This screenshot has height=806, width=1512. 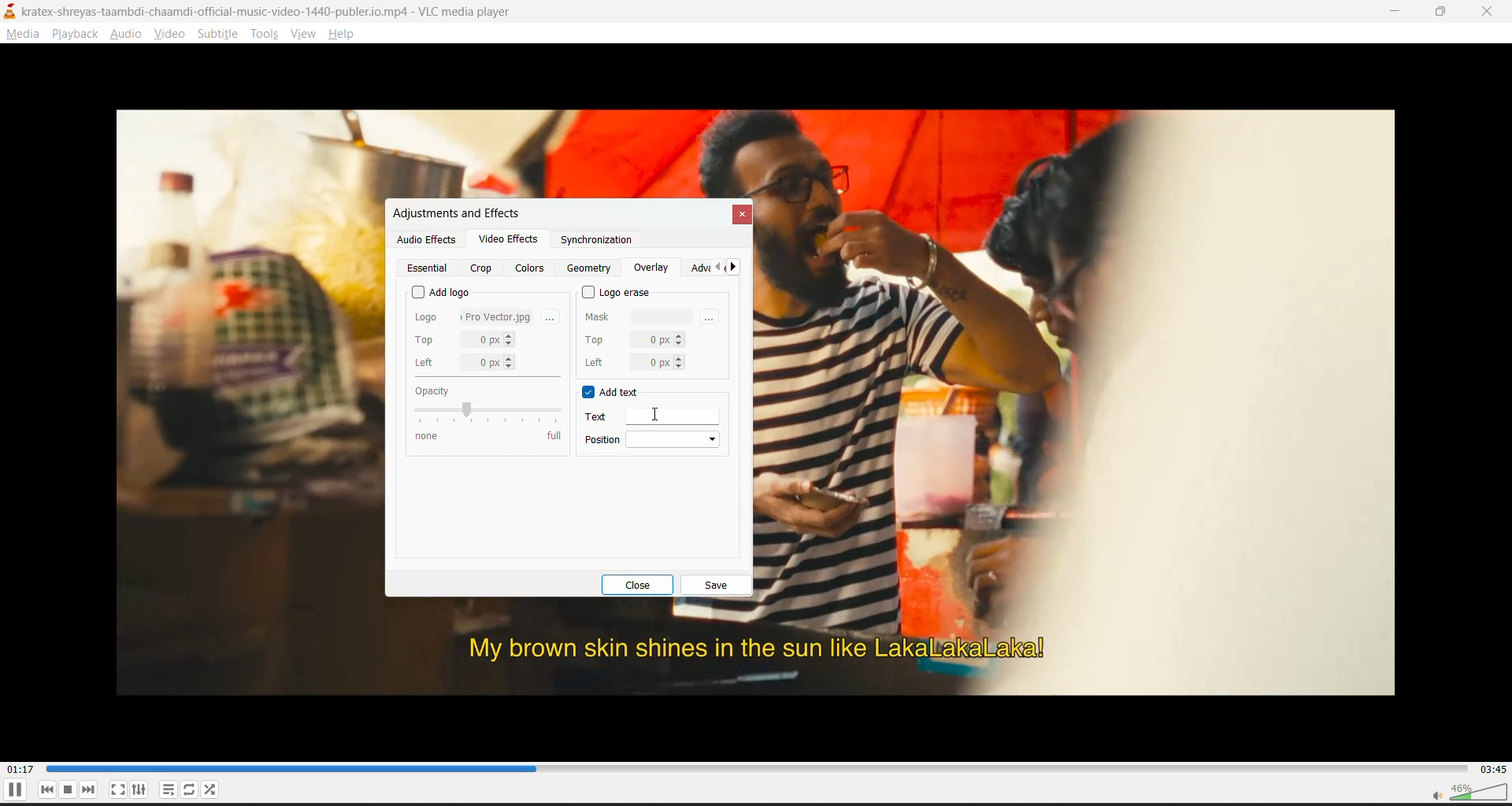 What do you see at coordinates (212, 790) in the screenshot?
I see `random` at bounding box center [212, 790].